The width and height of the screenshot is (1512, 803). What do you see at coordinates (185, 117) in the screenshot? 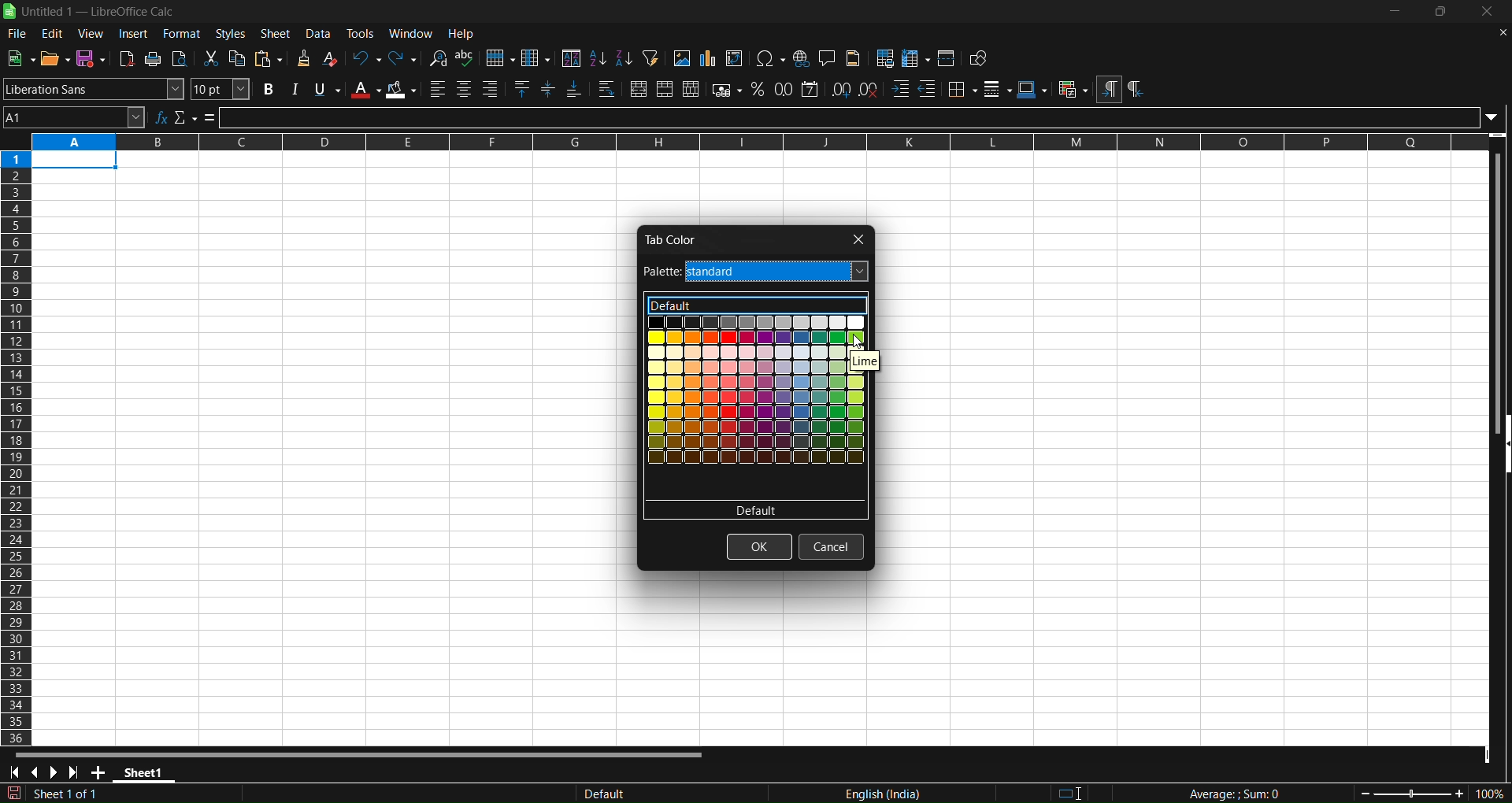
I see `select function` at bounding box center [185, 117].